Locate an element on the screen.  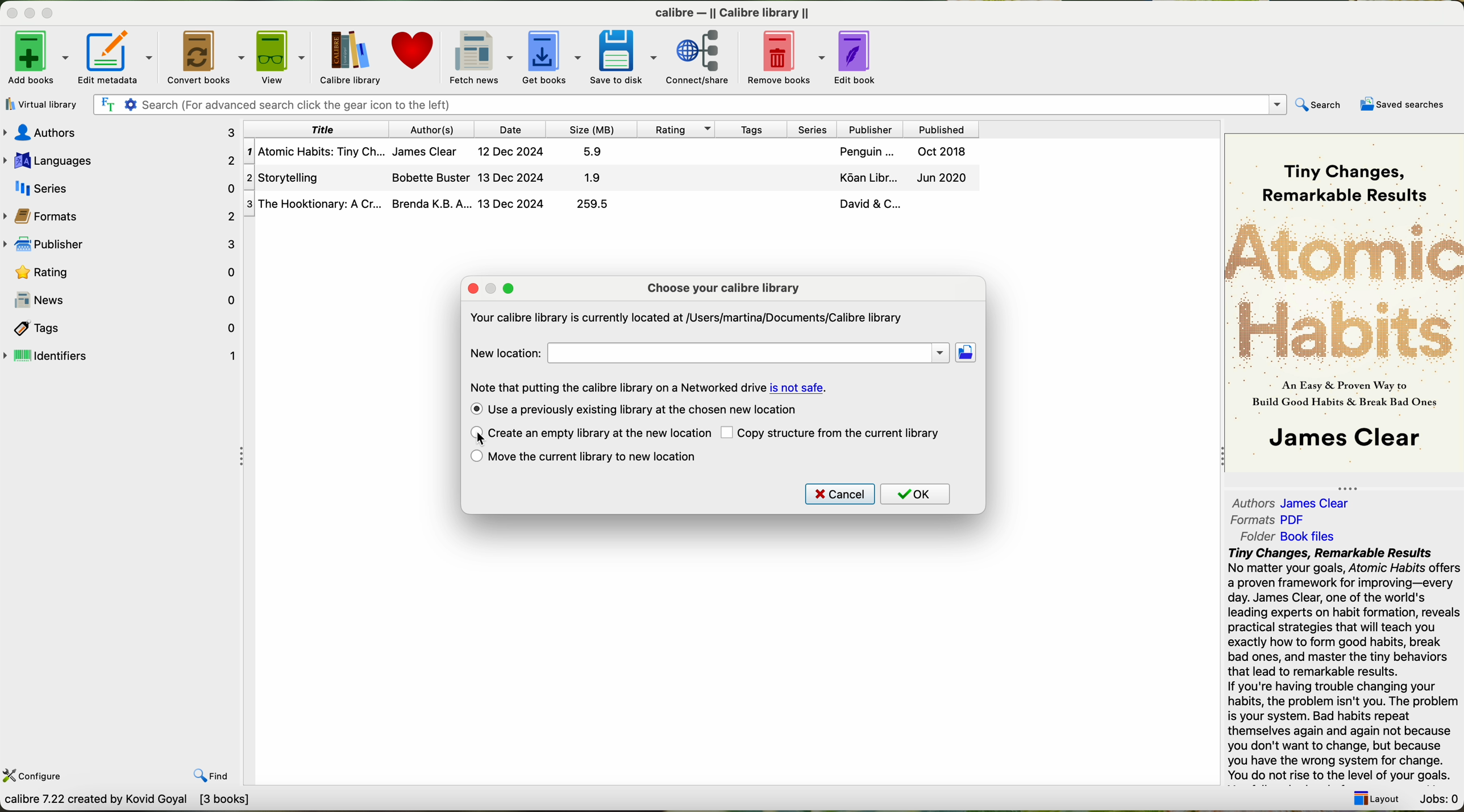
size is located at coordinates (590, 129).